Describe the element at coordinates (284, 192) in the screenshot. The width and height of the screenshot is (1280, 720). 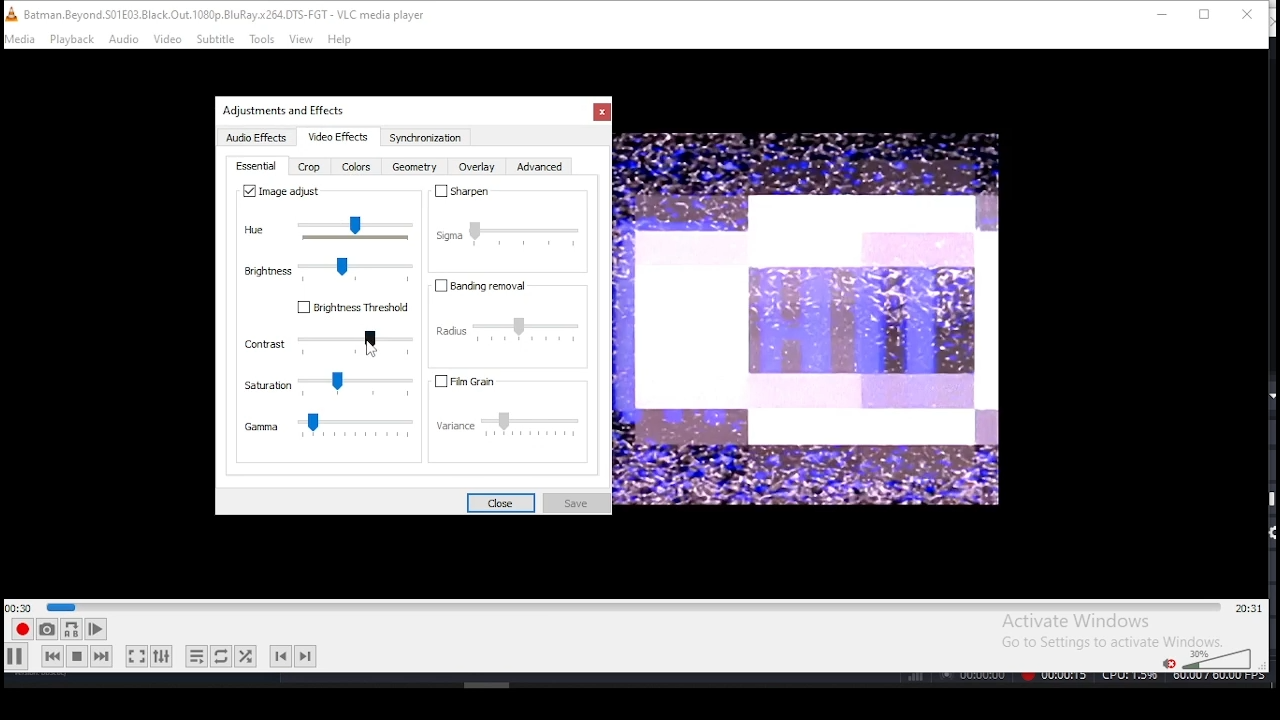
I see `image adjust on/off` at that location.